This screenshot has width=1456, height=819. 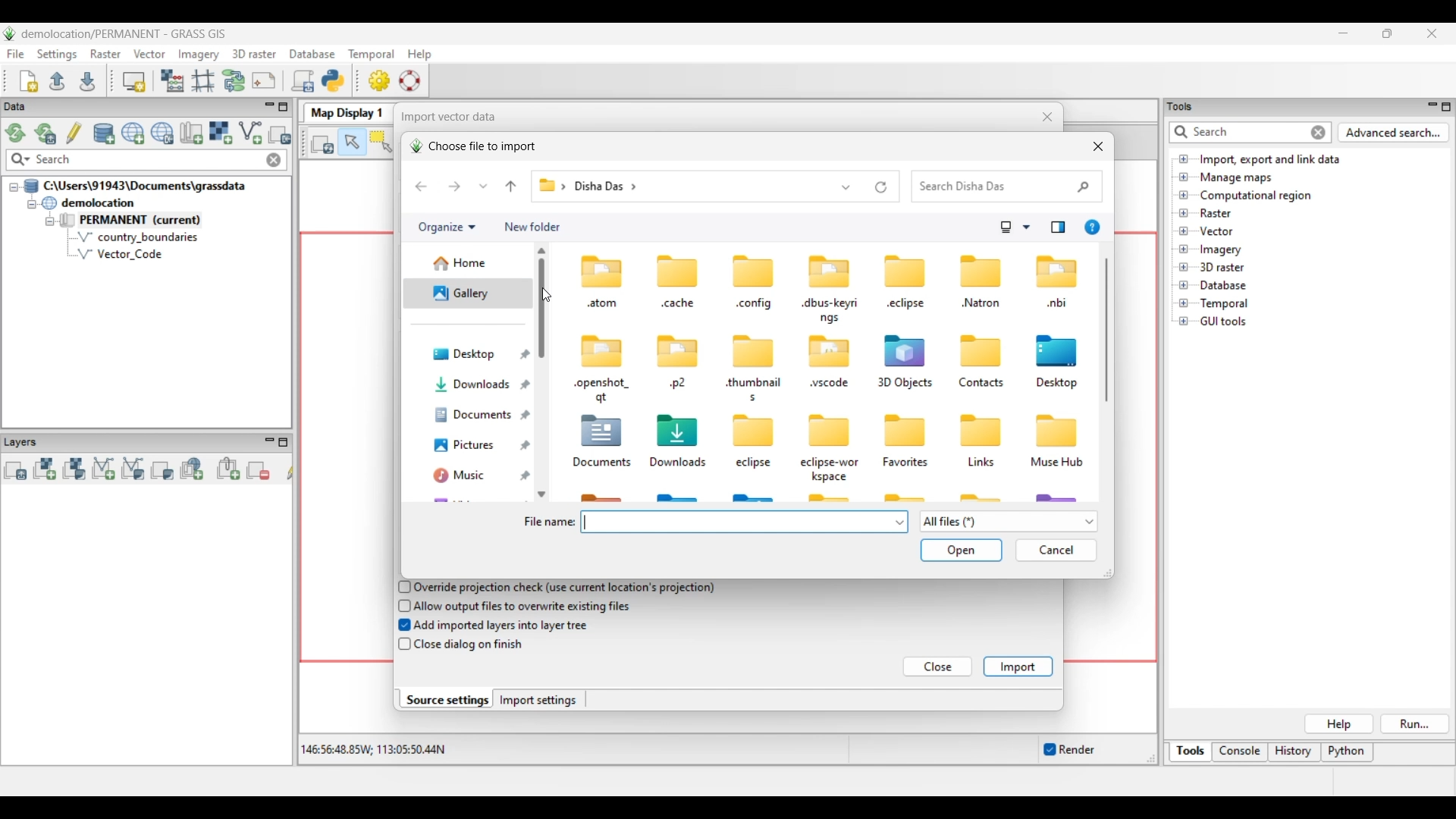 What do you see at coordinates (1256, 196) in the screenshot?
I see `Double click to see files under Computational region` at bounding box center [1256, 196].